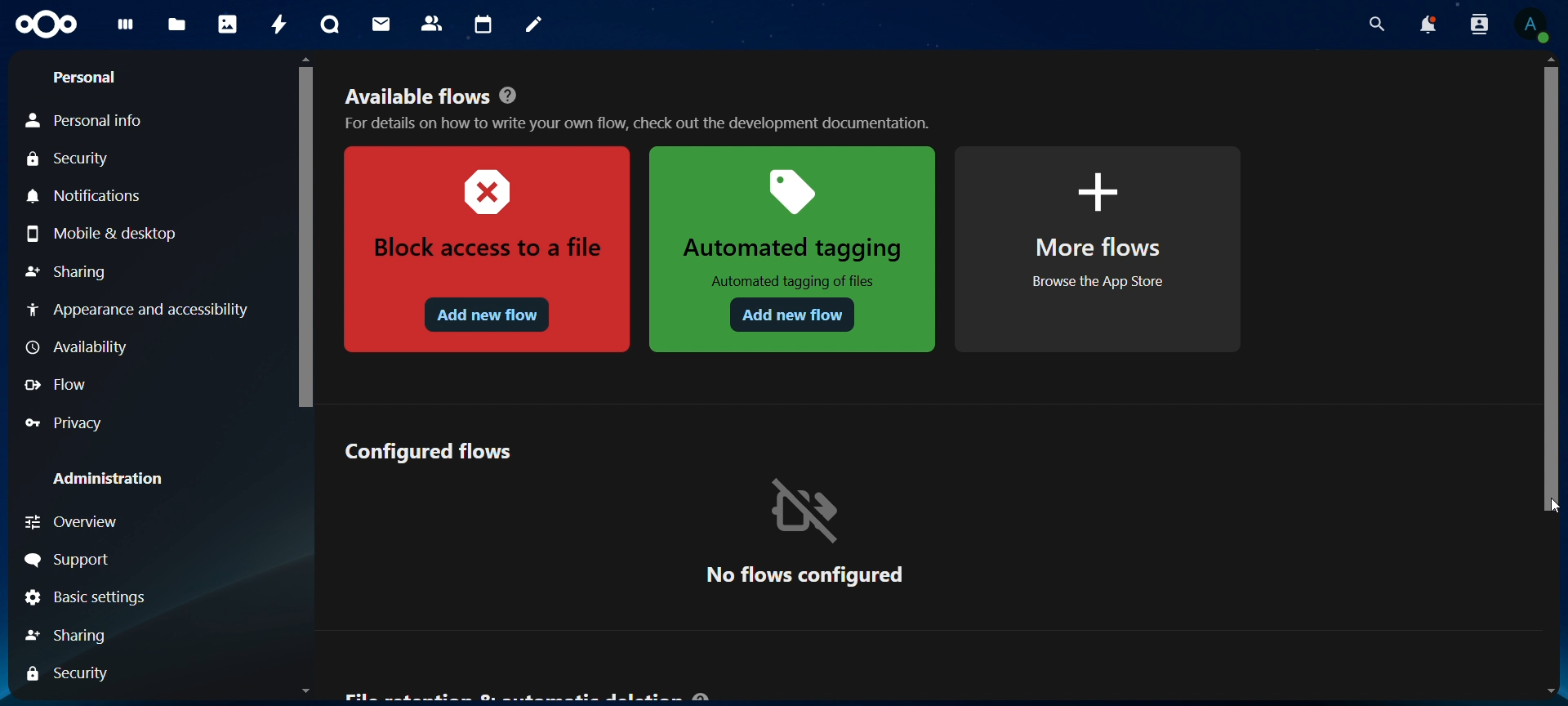 The height and width of the screenshot is (706, 1568). Describe the element at coordinates (794, 249) in the screenshot. I see `automated tagging ` at that location.